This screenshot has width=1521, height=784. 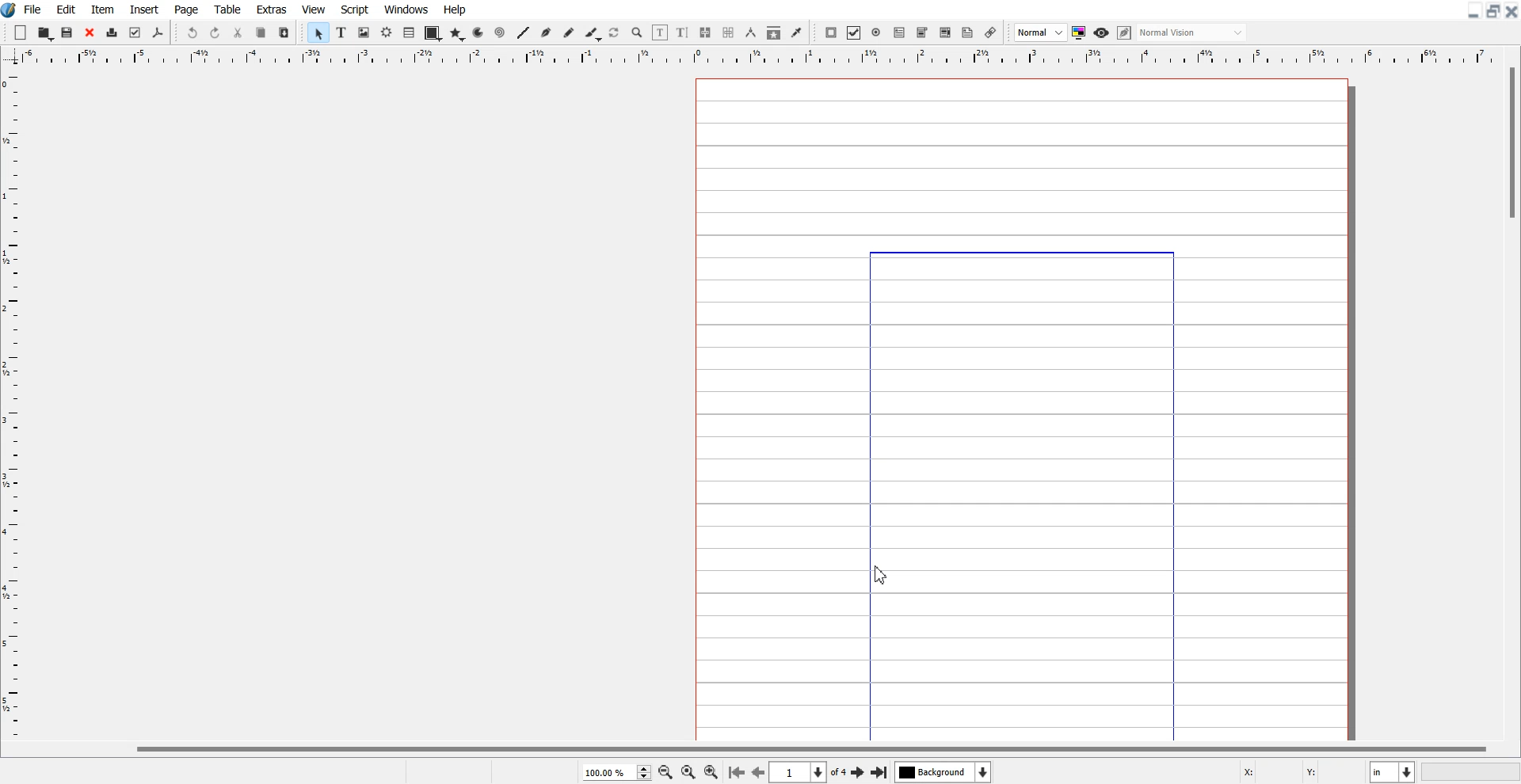 I want to click on Polygon, so click(x=457, y=34).